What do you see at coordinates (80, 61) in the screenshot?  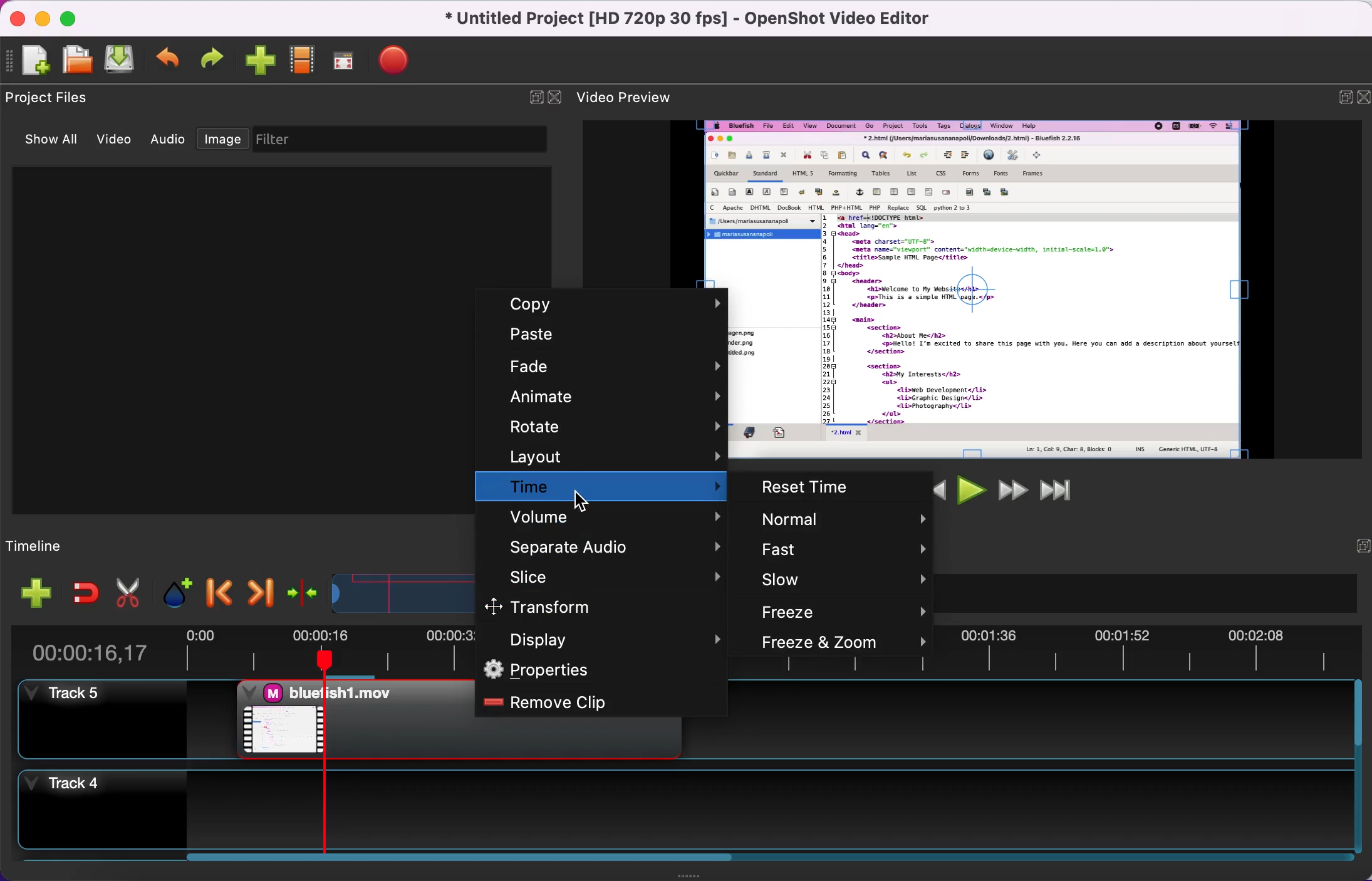 I see `open project` at bounding box center [80, 61].